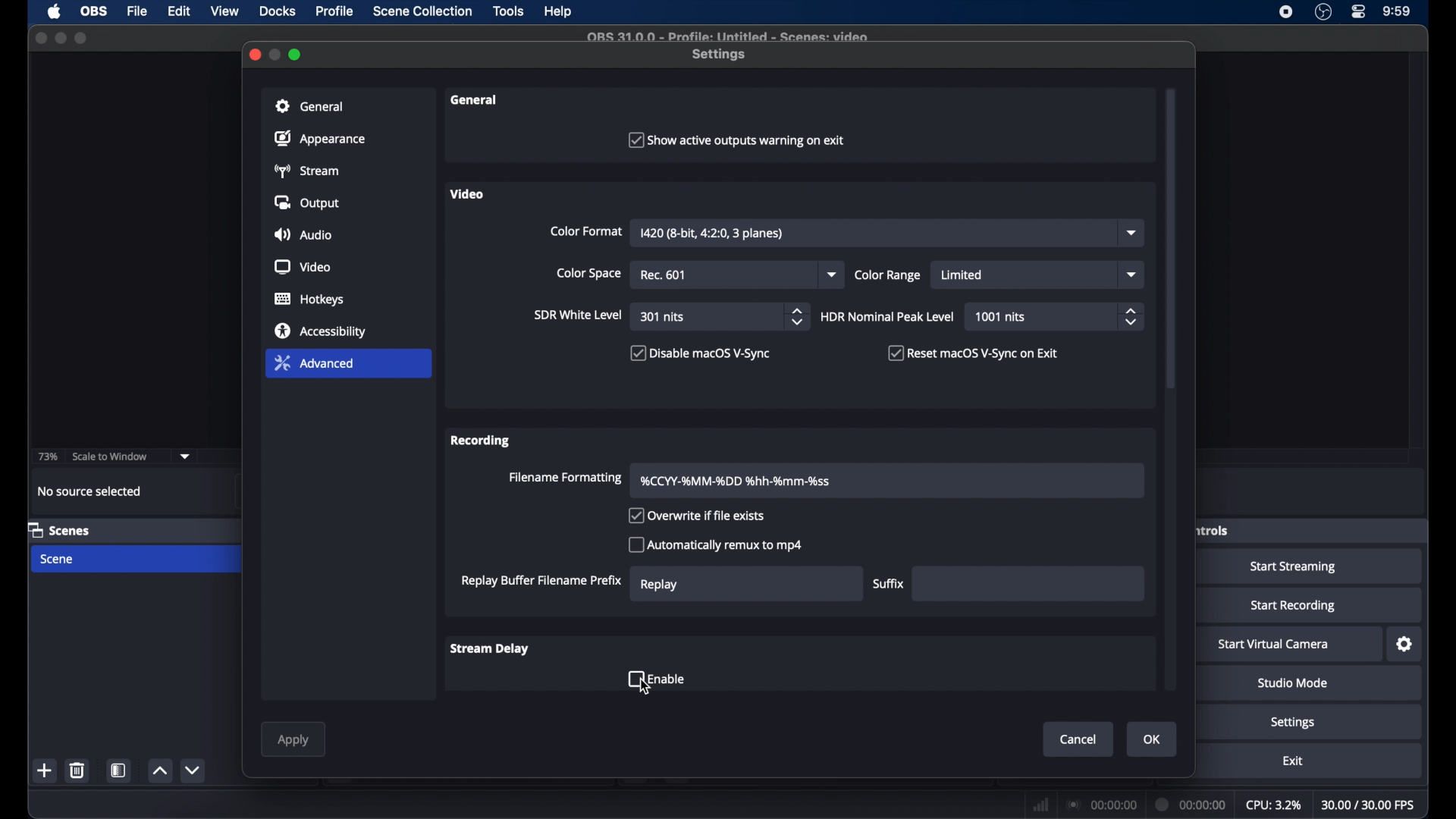 This screenshot has width=1456, height=819. Describe the element at coordinates (798, 317) in the screenshot. I see `stepper buttons` at that location.